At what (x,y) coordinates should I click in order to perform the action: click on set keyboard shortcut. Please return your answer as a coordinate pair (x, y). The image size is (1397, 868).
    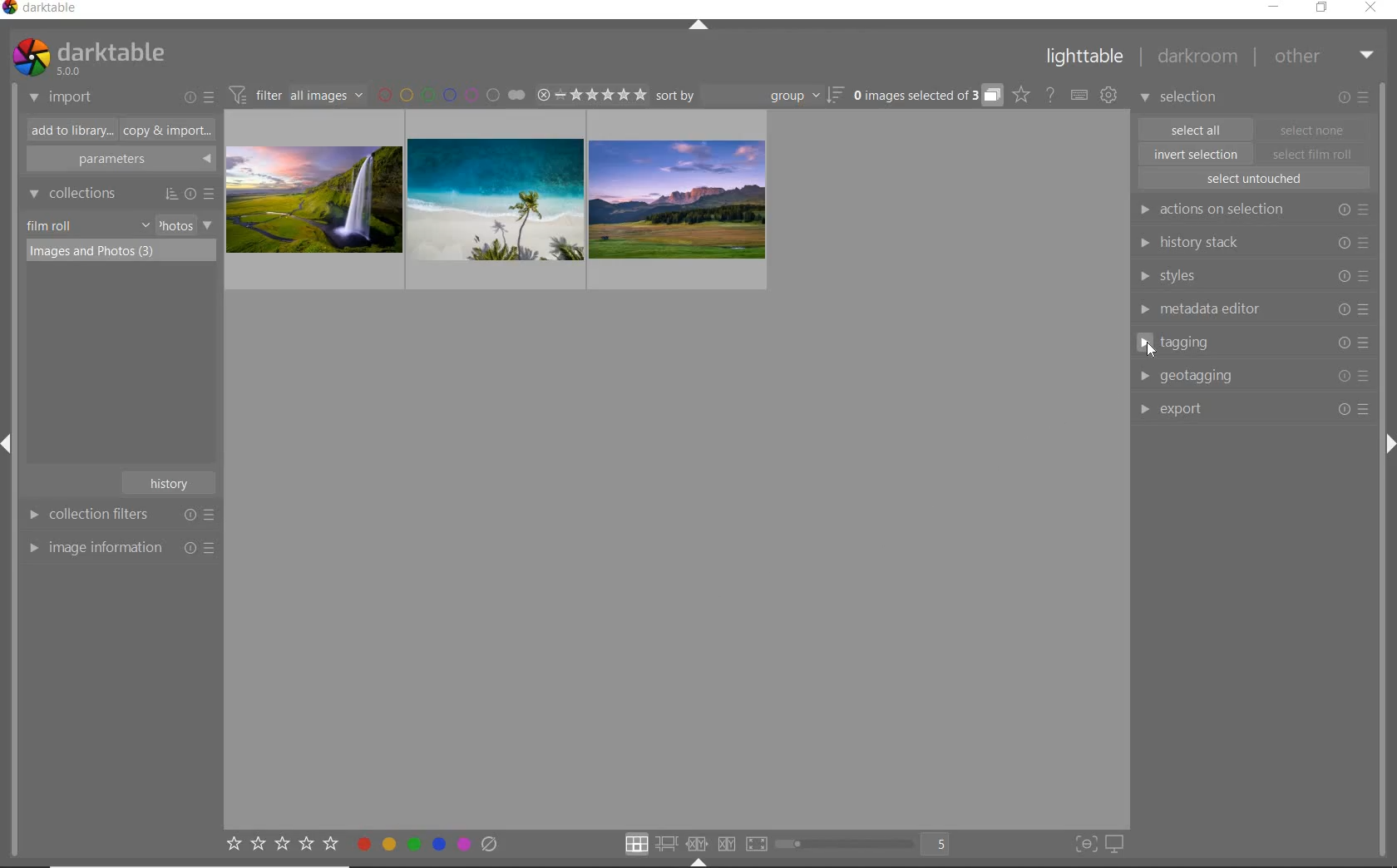
    Looking at the image, I should click on (1079, 96).